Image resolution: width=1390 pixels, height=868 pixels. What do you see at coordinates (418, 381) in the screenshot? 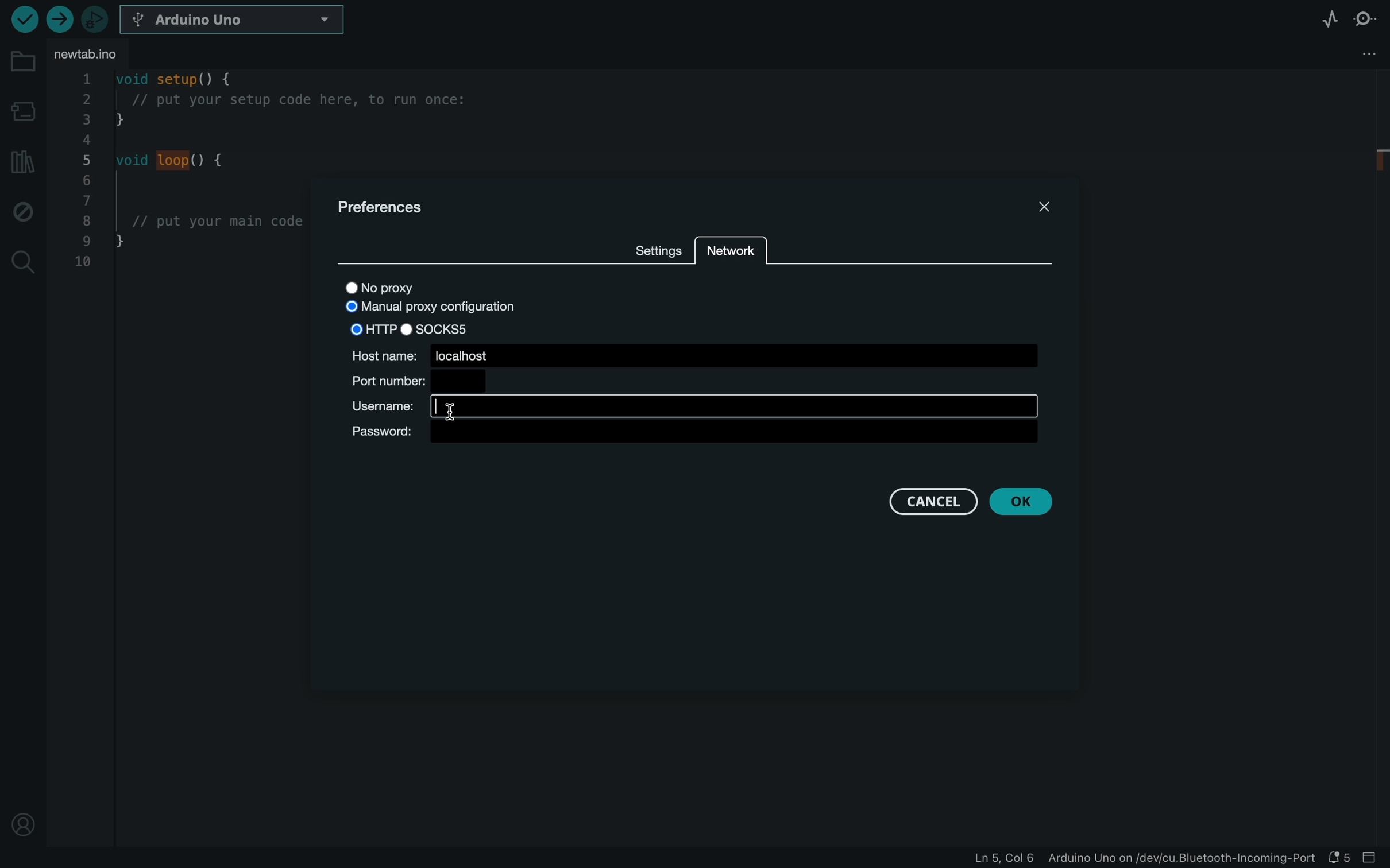
I see `port number` at bounding box center [418, 381].